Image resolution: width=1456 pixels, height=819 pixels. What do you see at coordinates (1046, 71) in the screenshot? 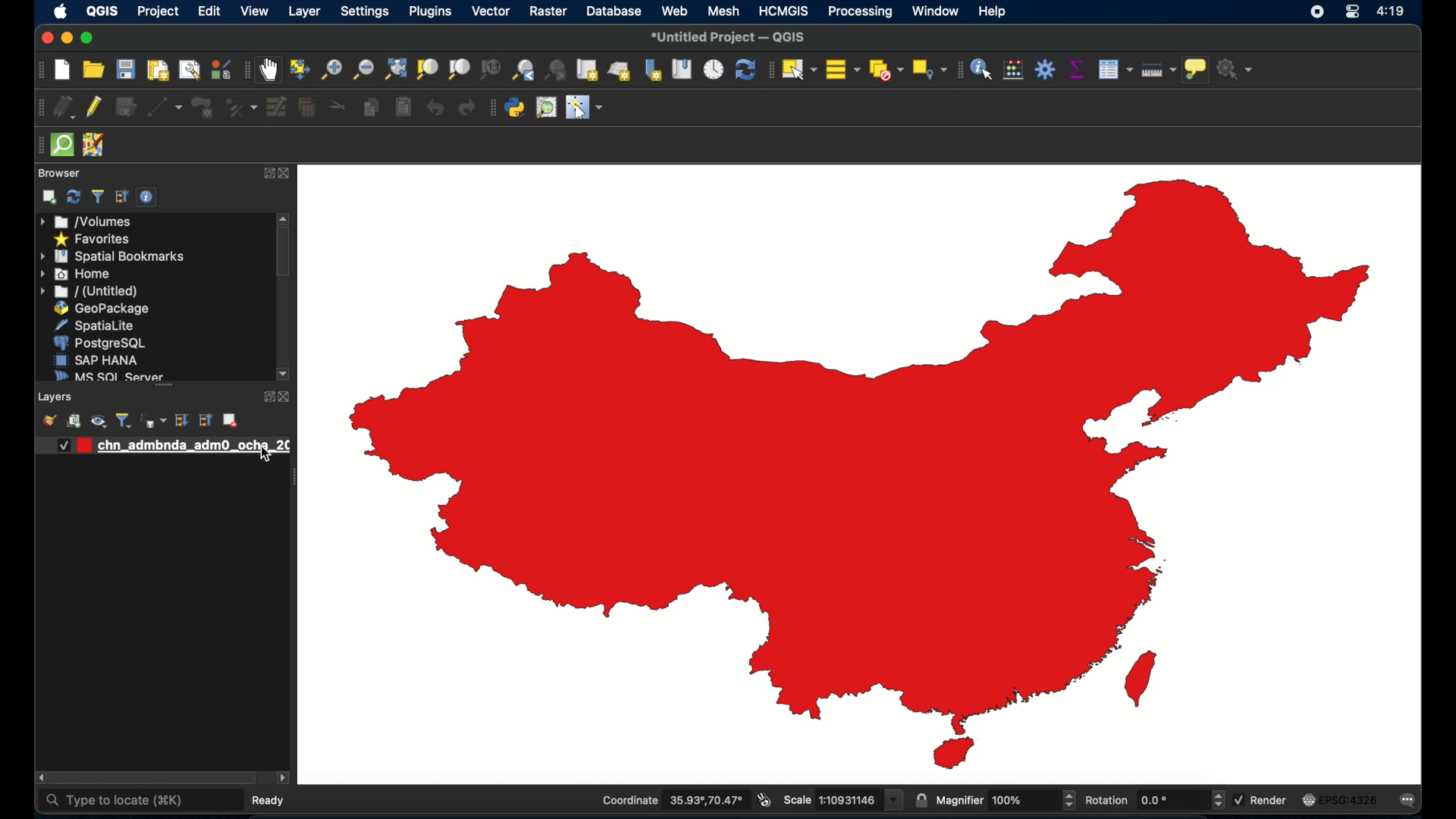
I see `toolbox` at bounding box center [1046, 71].